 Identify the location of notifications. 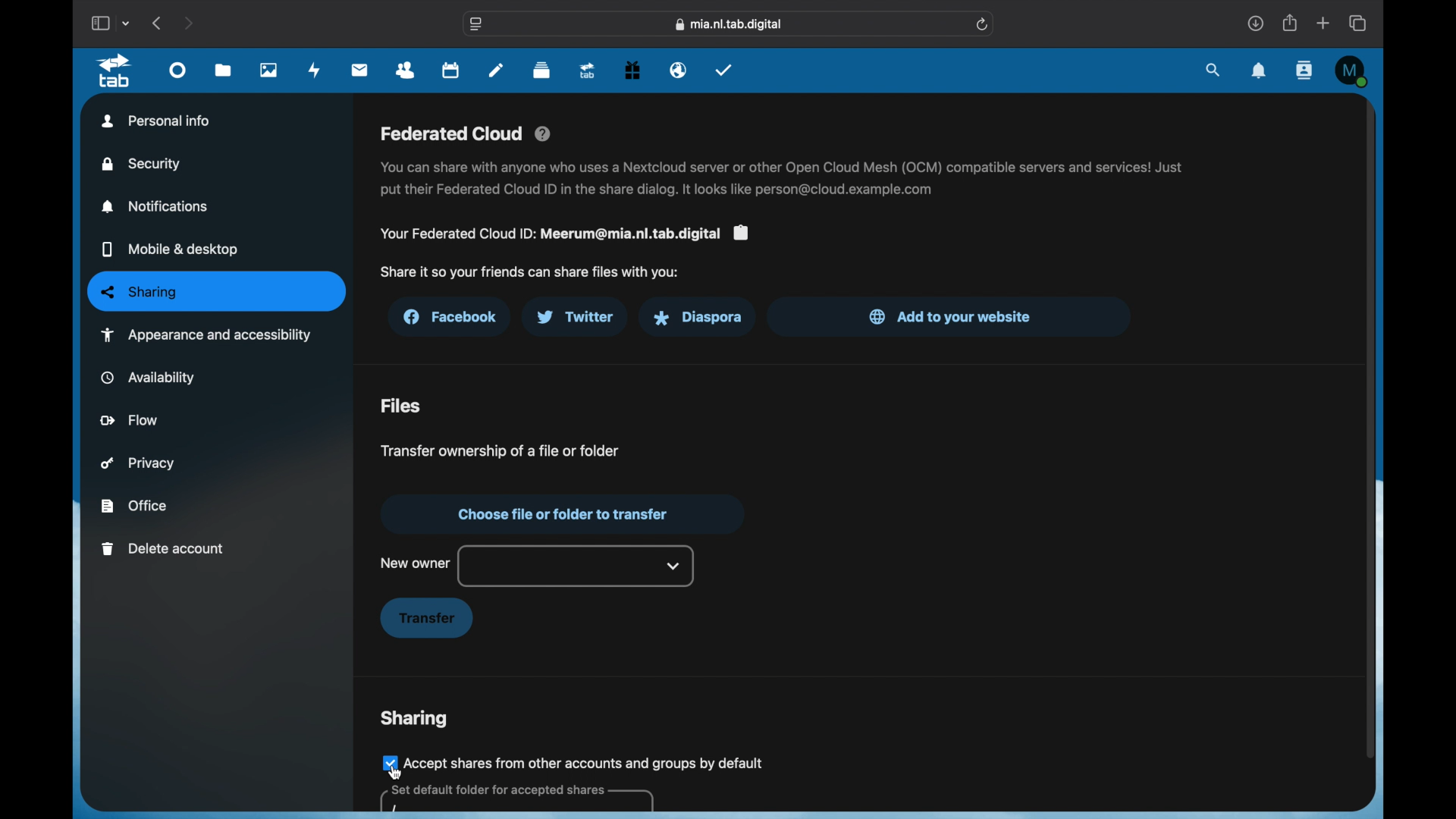
(156, 206).